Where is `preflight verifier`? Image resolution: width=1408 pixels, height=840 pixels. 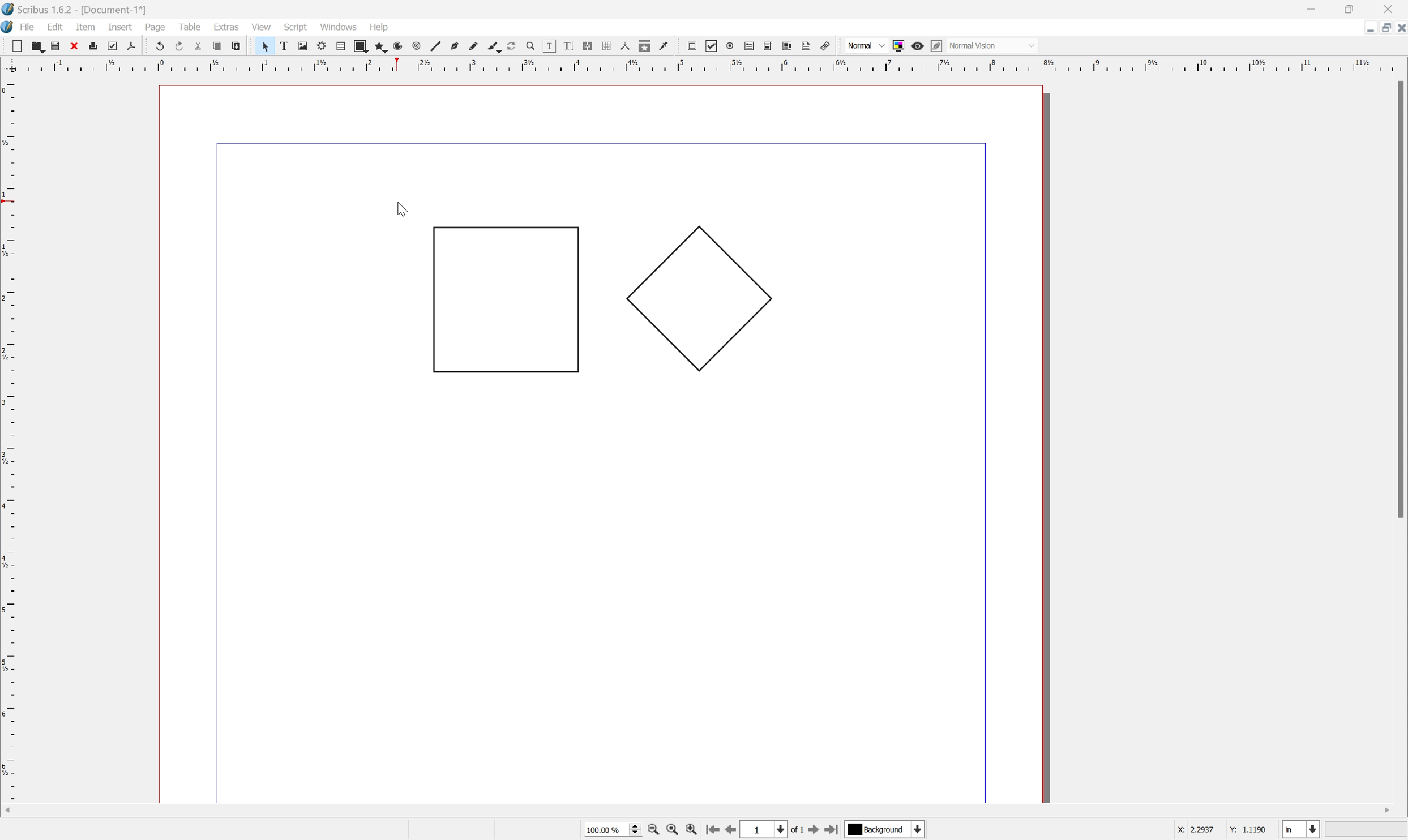 preflight verifier is located at coordinates (110, 42).